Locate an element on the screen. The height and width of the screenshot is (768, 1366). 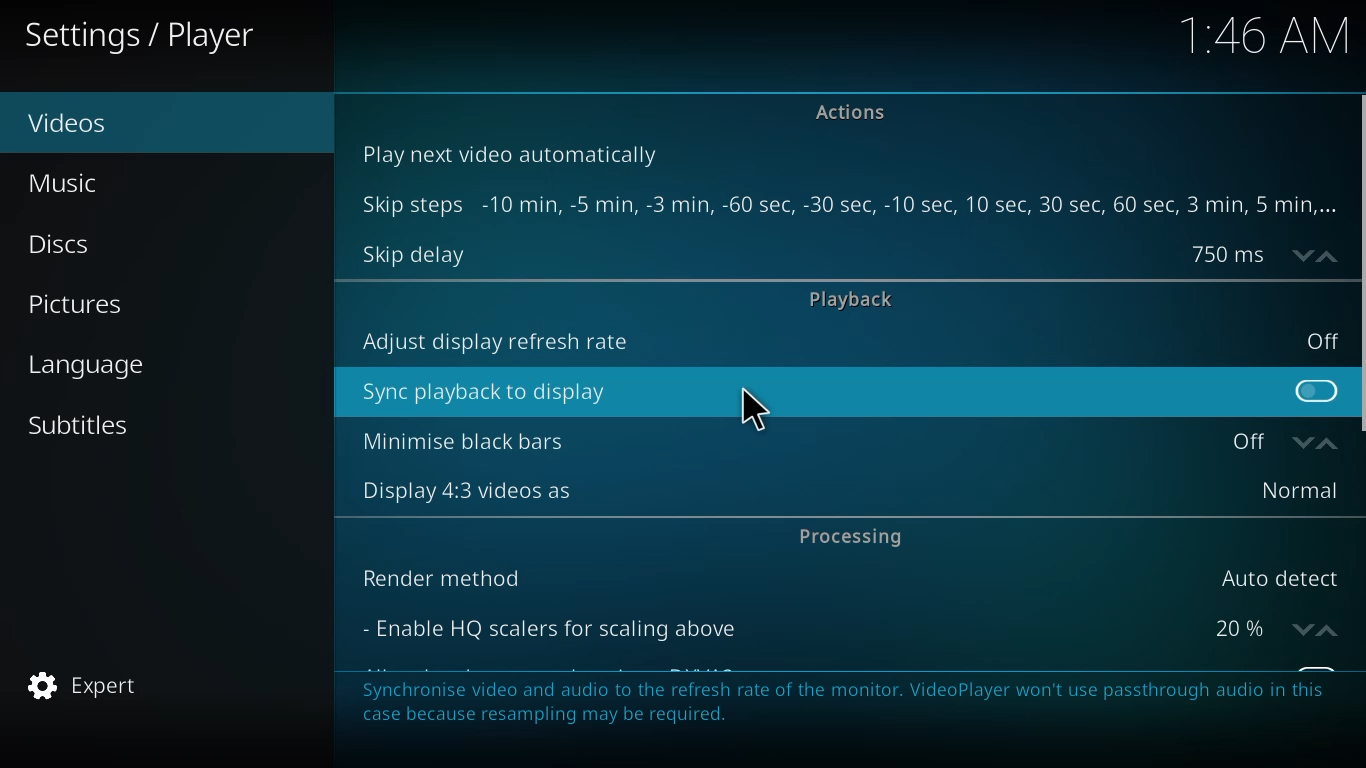
steps is located at coordinates (916, 204).